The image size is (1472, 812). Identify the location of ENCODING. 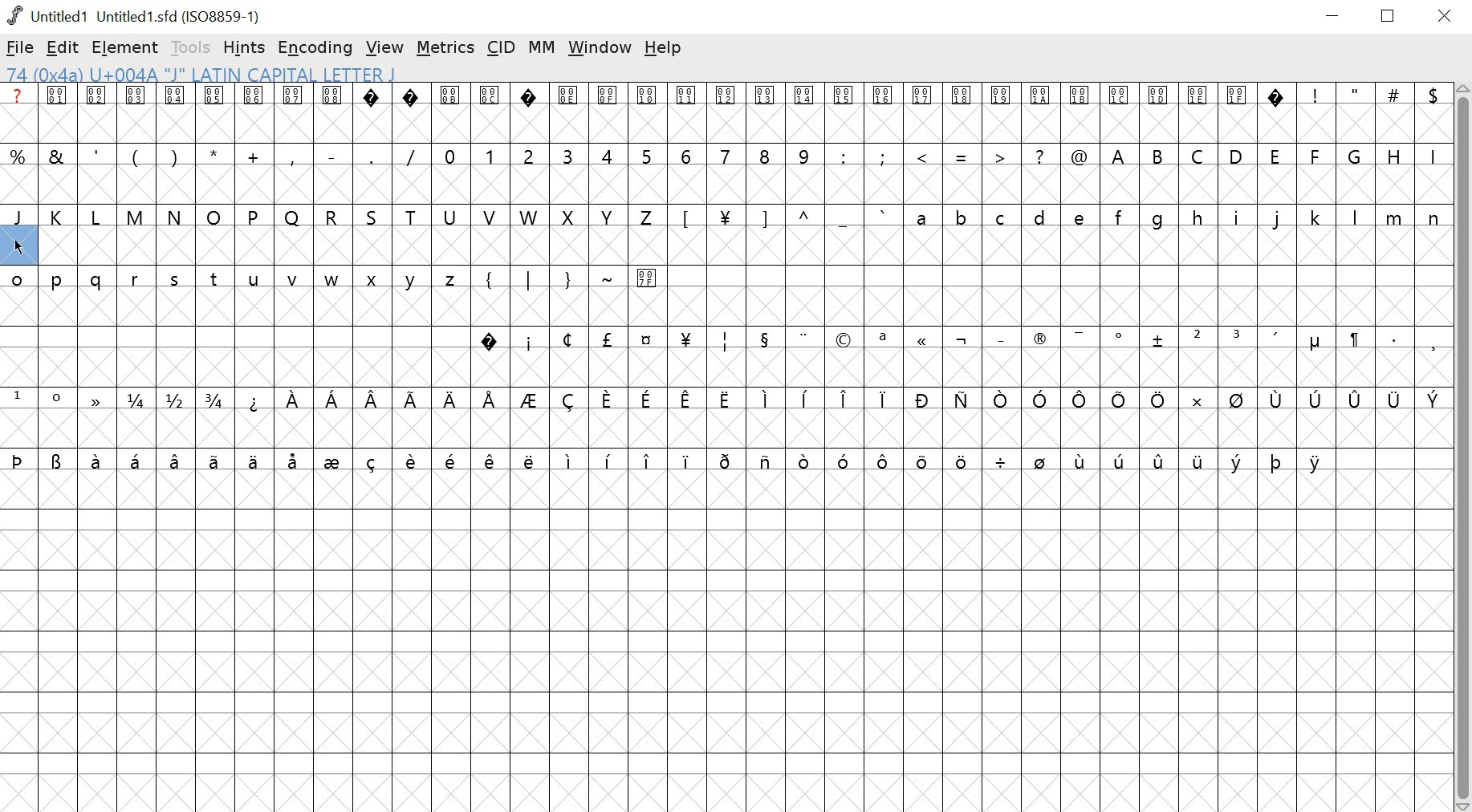
(315, 48).